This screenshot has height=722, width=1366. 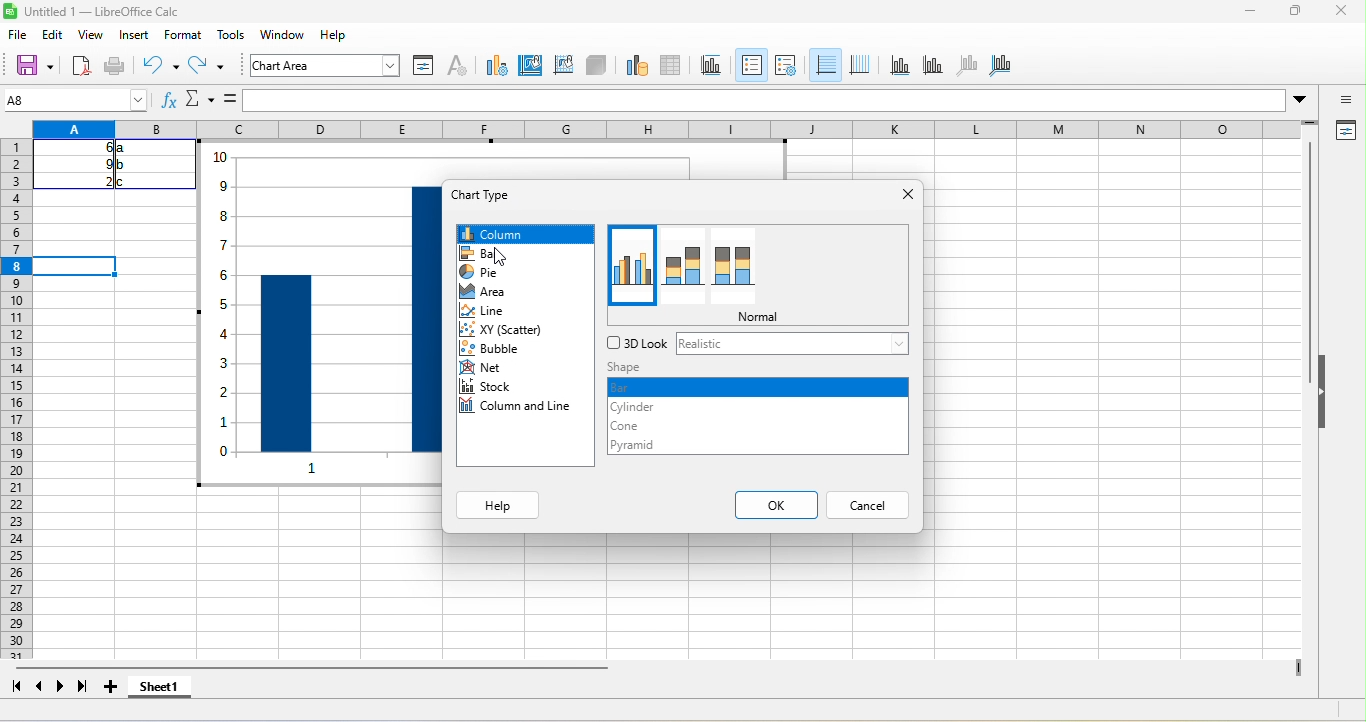 I want to click on column headings, so click(x=678, y=129).